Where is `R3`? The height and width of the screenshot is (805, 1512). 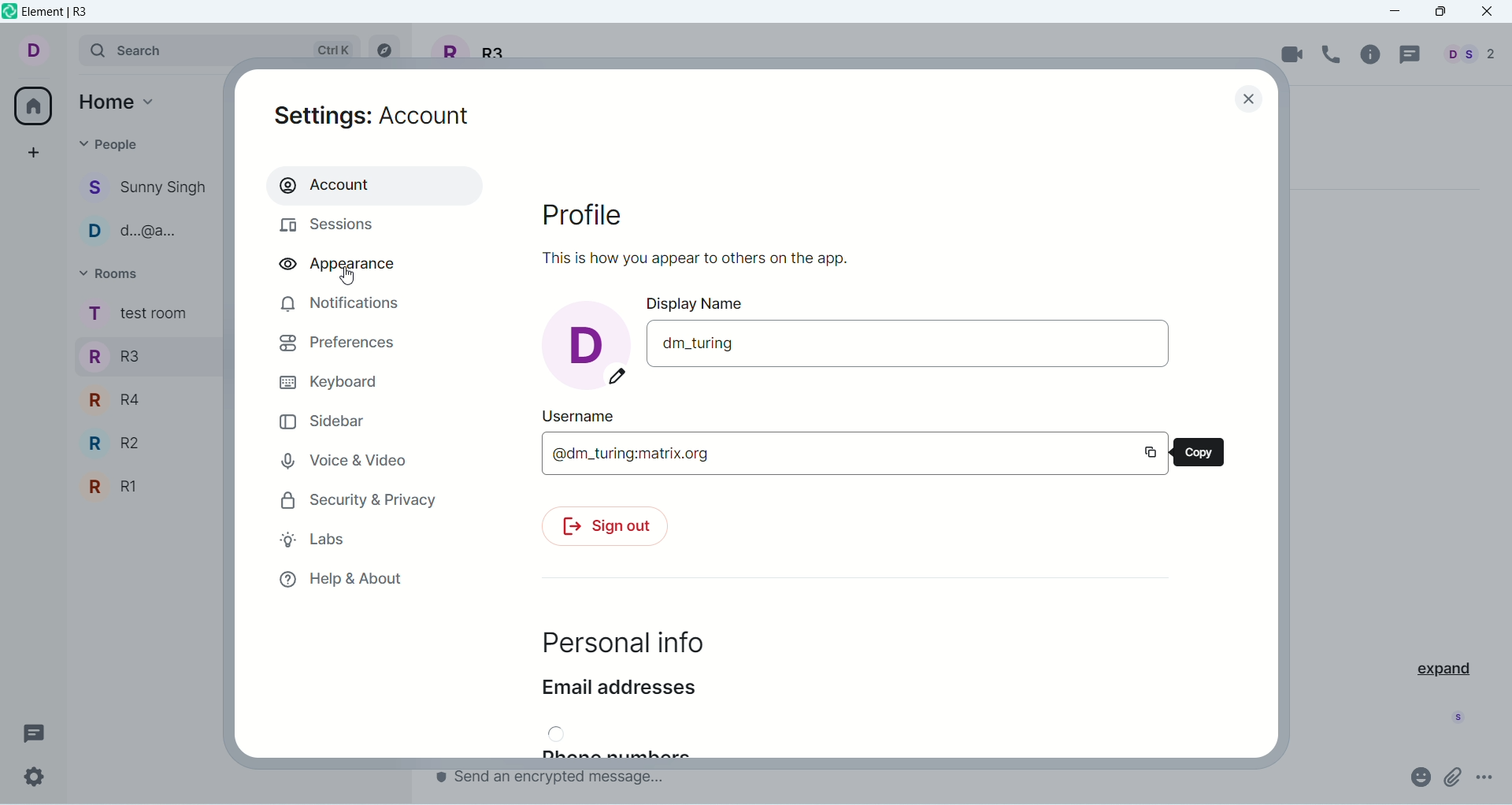
R3 is located at coordinates (144, 354).